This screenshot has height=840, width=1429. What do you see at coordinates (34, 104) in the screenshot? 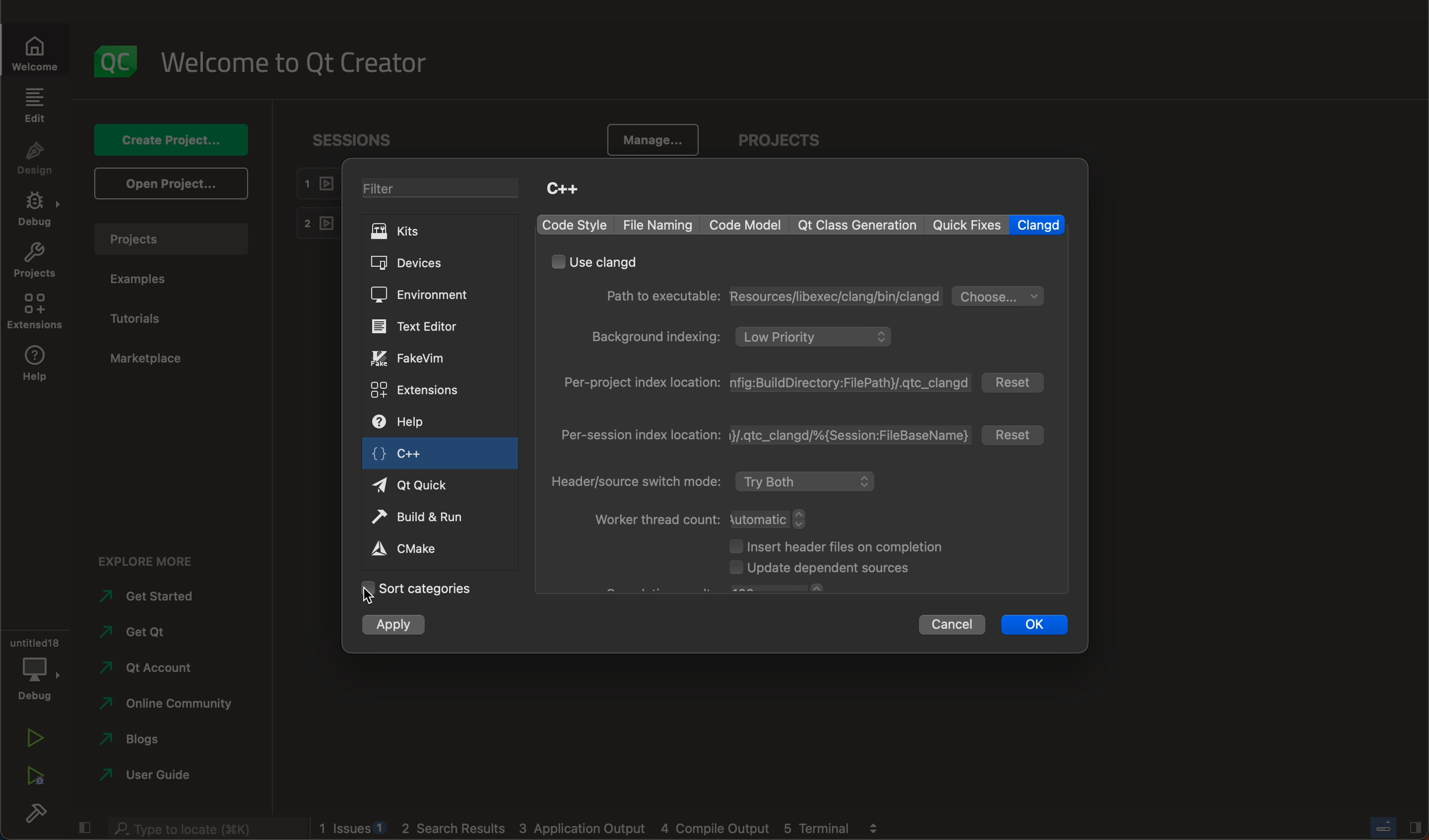
I see `edit` at bounding box center [34, 104].